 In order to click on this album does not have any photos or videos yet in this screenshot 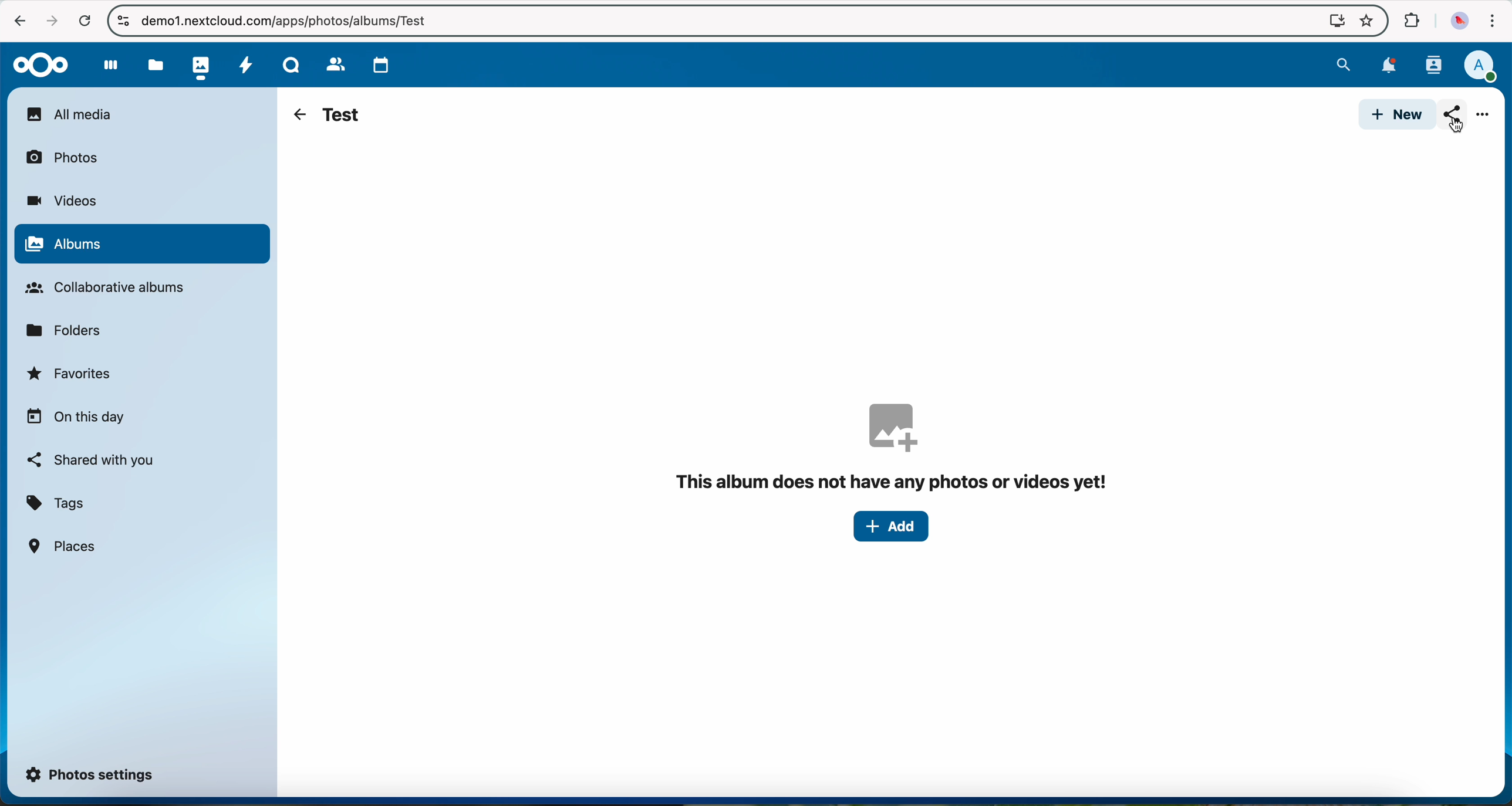, I will do `click(897, 446)`.